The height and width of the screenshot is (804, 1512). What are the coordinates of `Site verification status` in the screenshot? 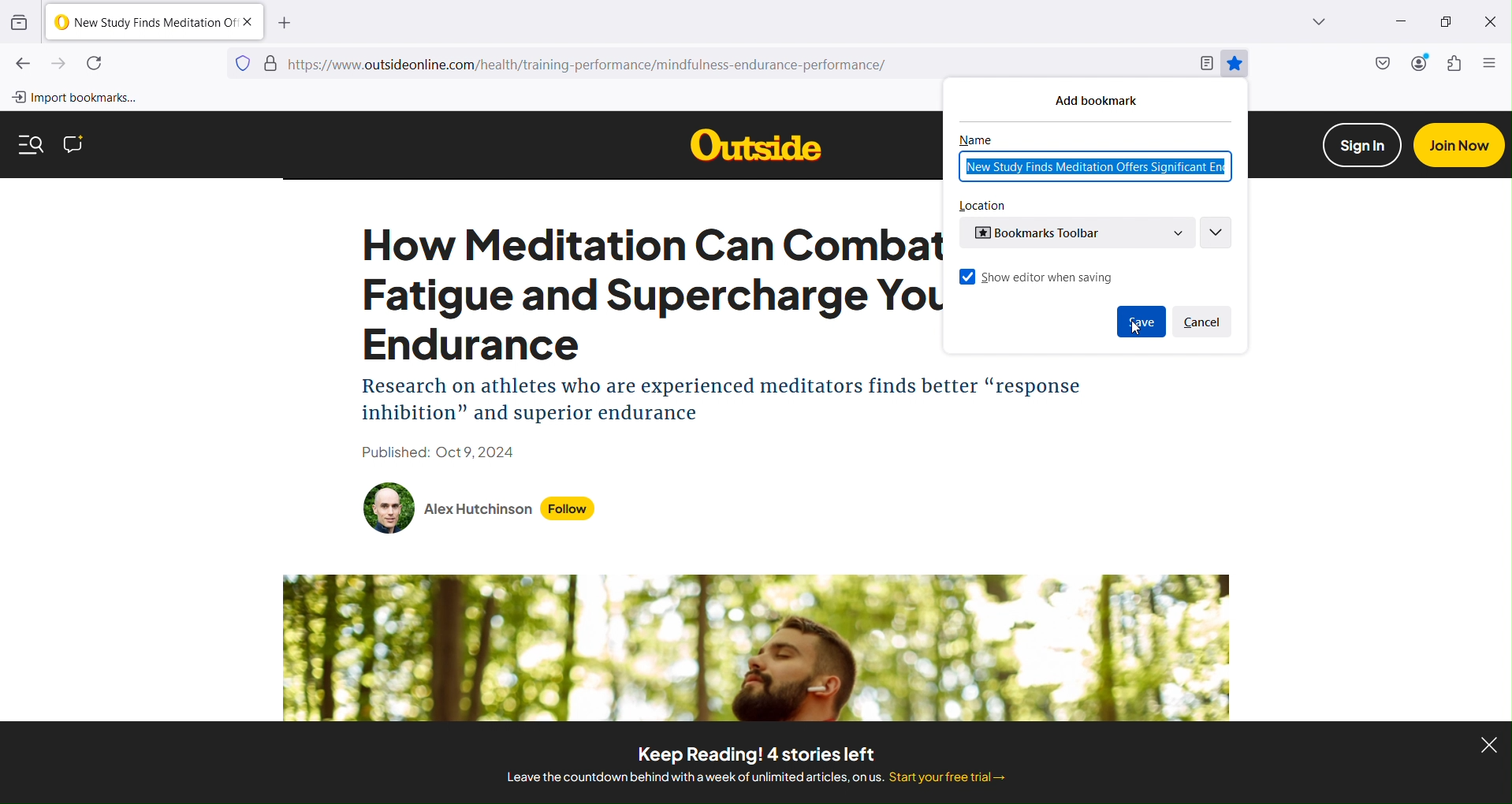 It's located at (271, 62).